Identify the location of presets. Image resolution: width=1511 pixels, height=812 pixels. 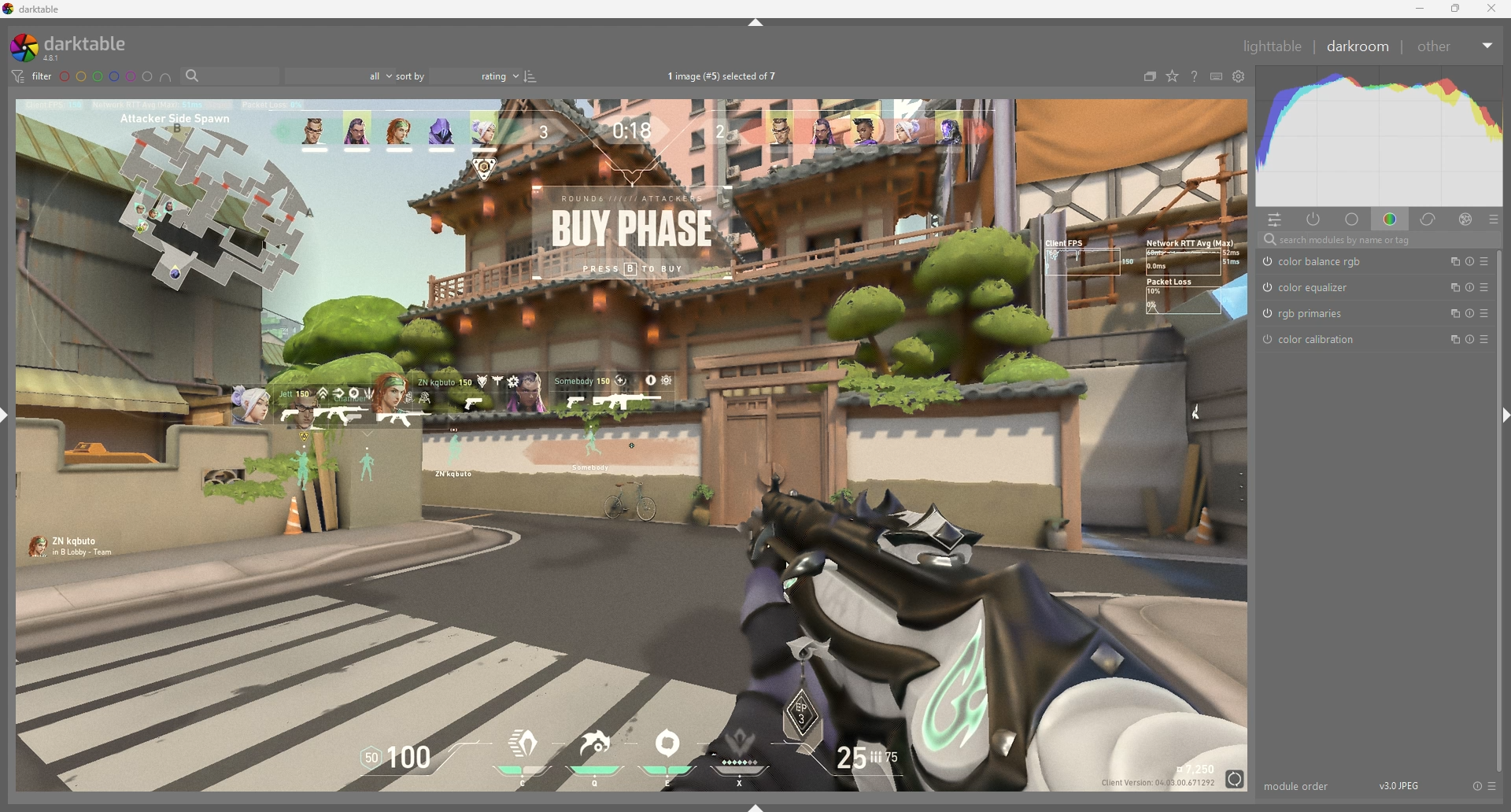
(1484, 338).